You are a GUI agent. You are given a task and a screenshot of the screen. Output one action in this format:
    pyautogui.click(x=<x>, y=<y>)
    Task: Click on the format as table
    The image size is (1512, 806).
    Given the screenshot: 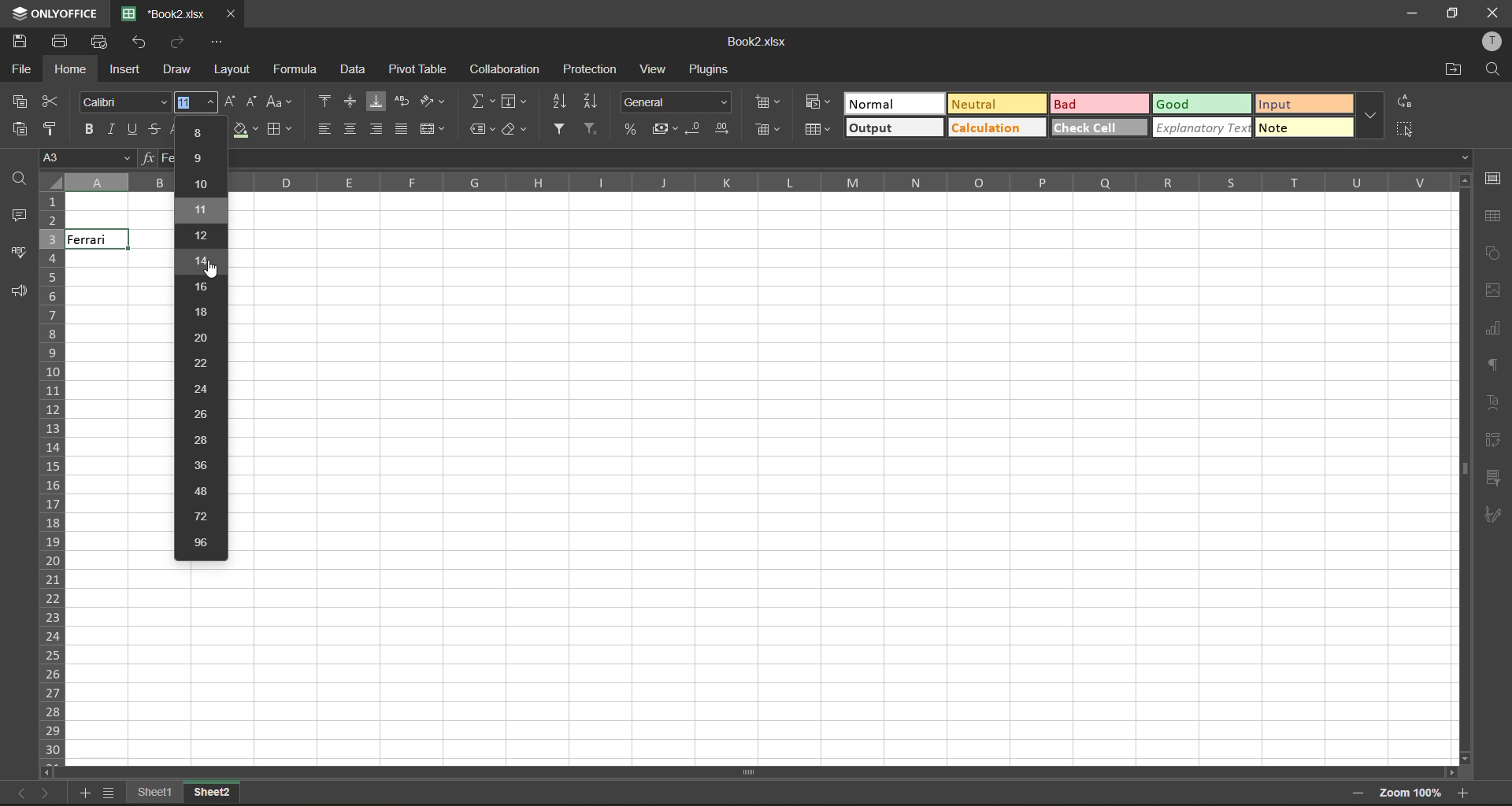 What is the action you would take?
    pyautogui.click(x=818, y=131)
    